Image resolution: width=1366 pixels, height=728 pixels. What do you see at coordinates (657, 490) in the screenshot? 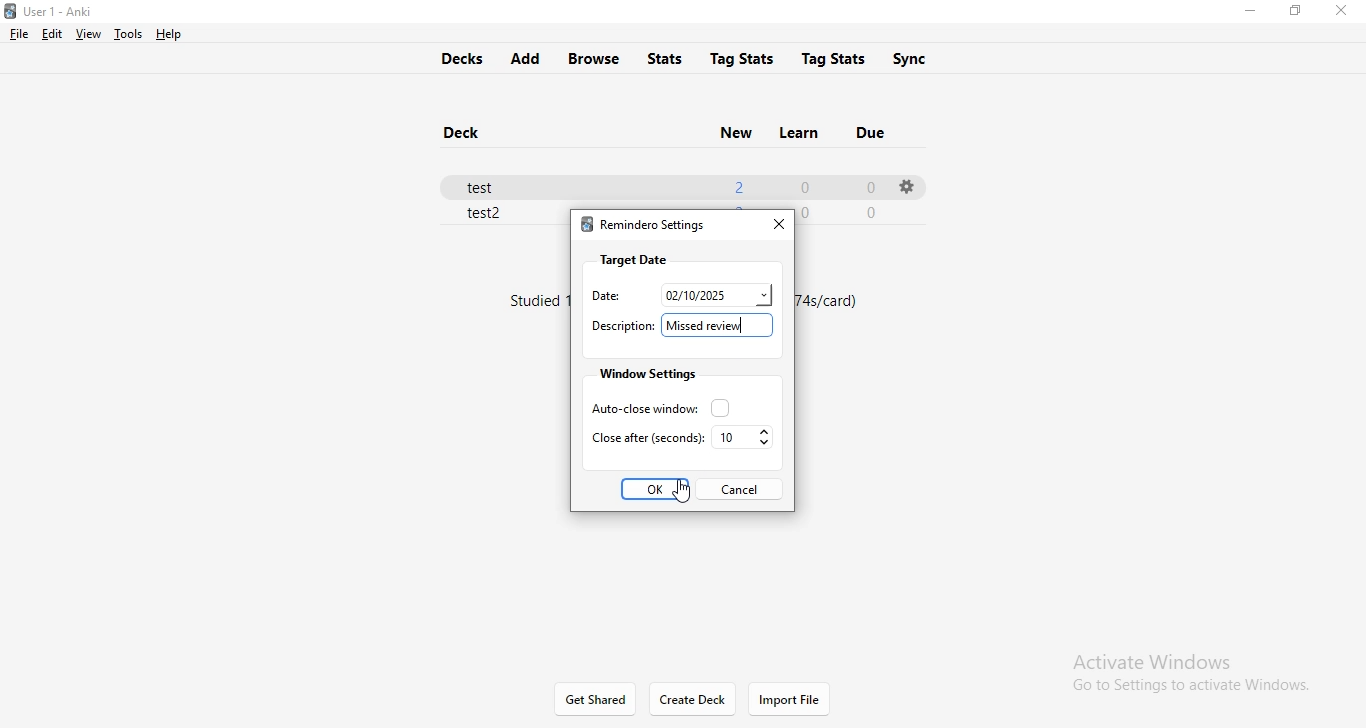
I see `ok` at bounding box center [657, 490].